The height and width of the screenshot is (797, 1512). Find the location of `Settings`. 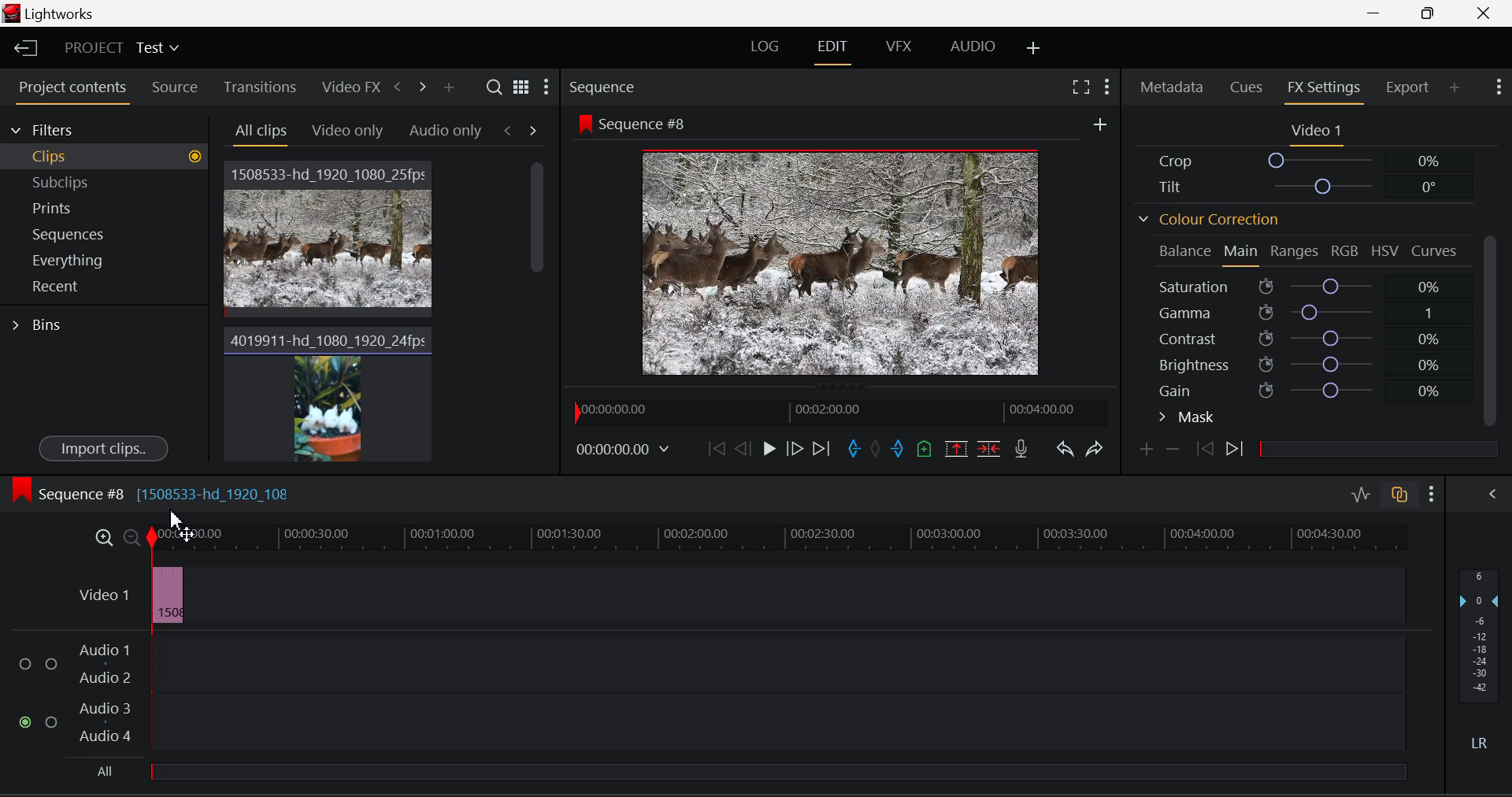

Settings is located at coordinates (549, 87).